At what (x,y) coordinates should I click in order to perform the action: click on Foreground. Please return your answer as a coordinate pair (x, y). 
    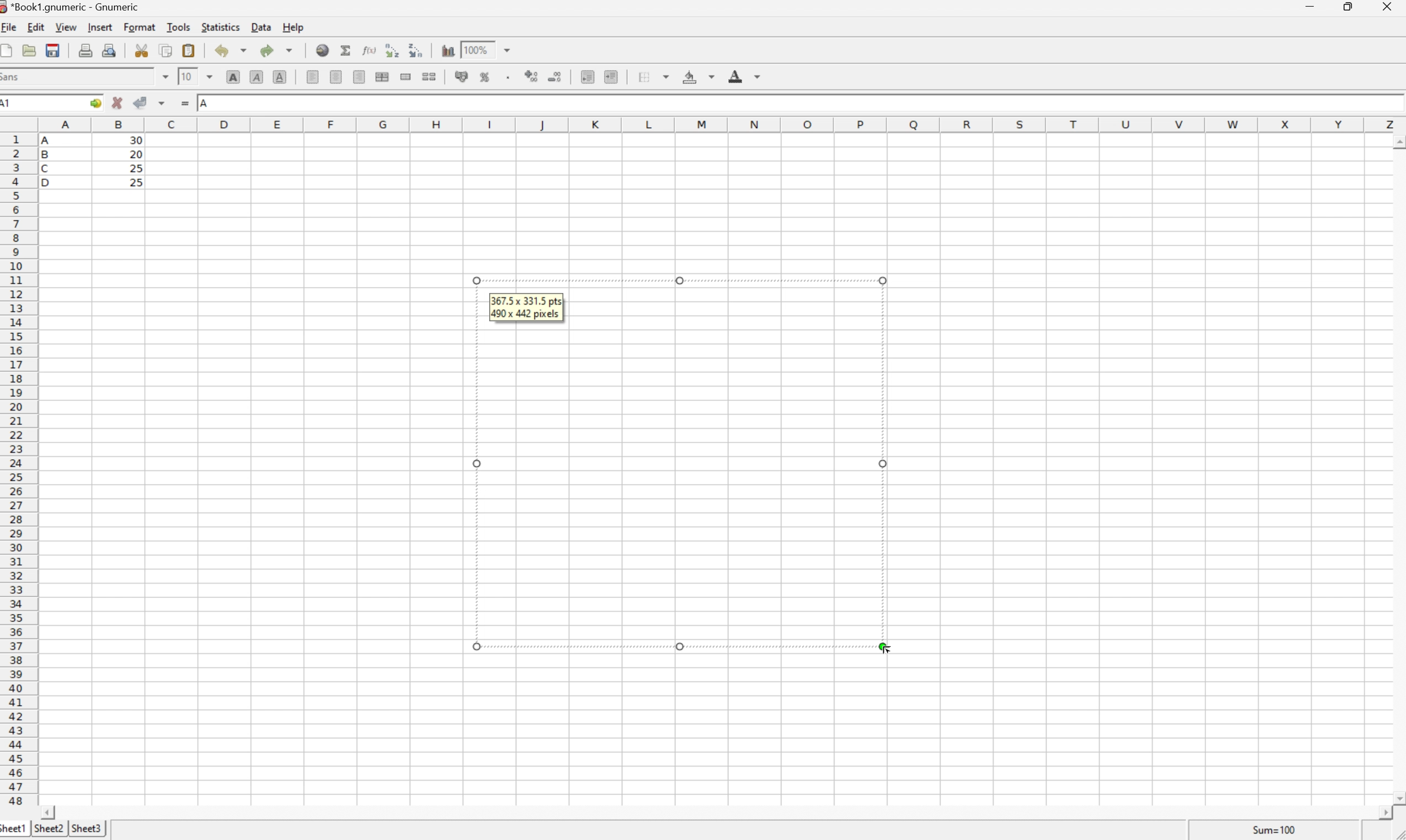
    Looking at the image, I should click on (746, 76).